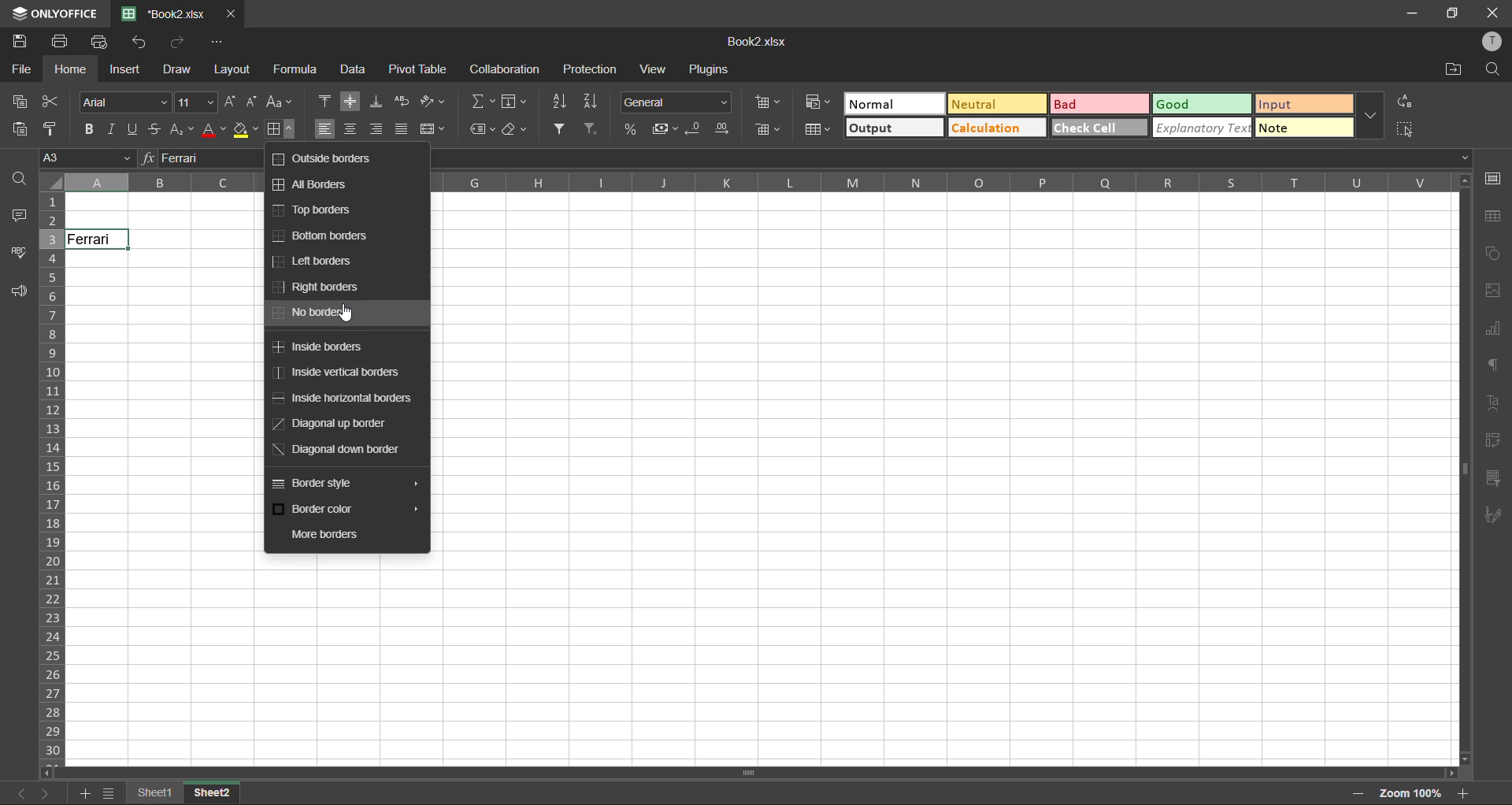 The width and height of the screenshot is (1512, 805). Describe the element at coordinates (483, 102) in the screenshot. I see `summation` at that location.